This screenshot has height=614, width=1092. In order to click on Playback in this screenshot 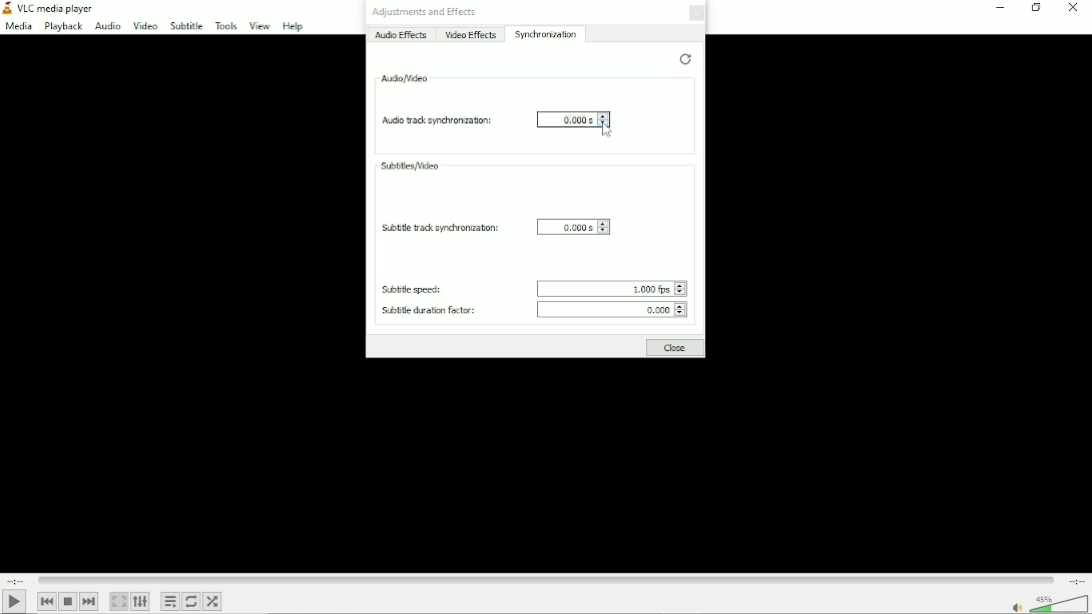, I will do `click(63, 27)`.